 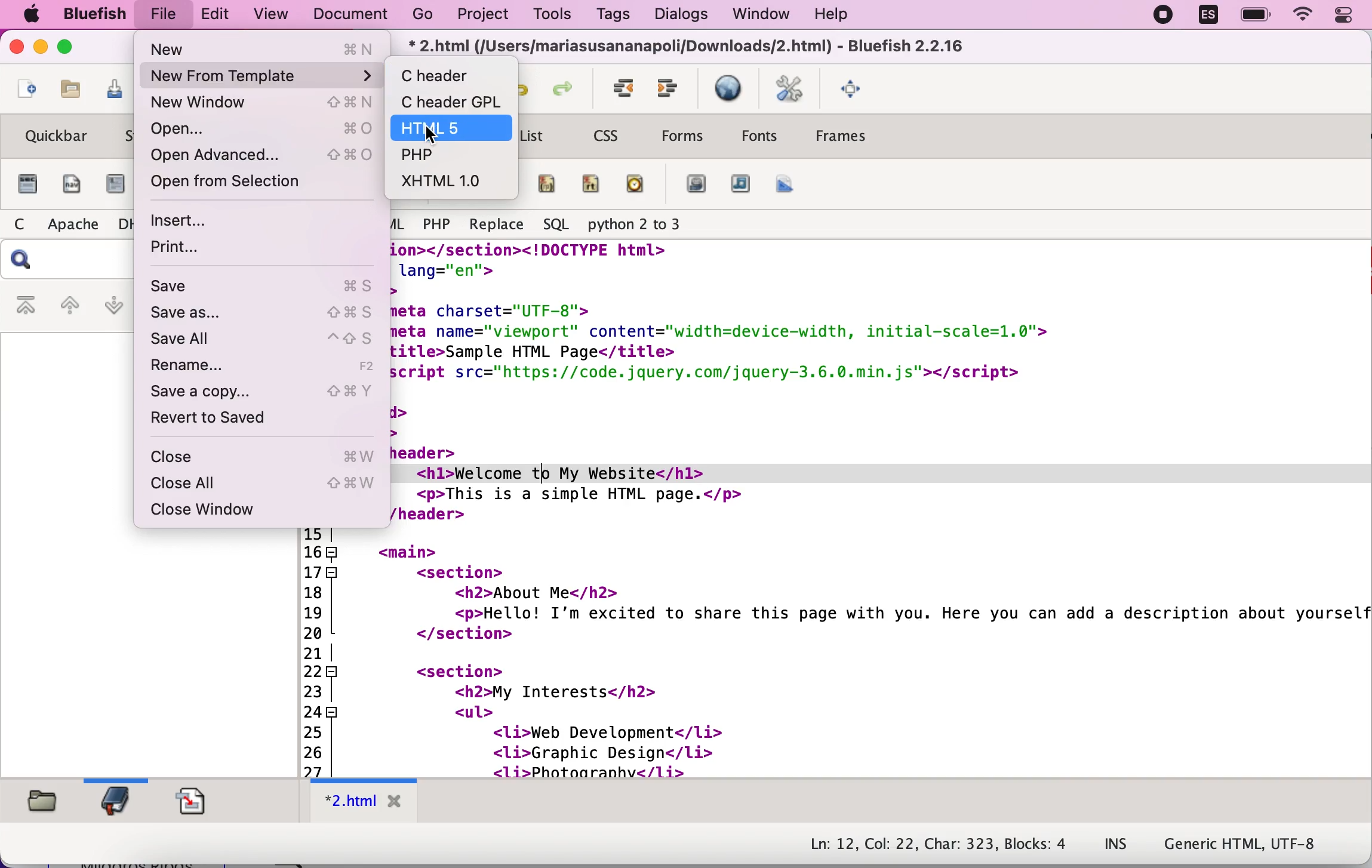 I want to click on Replace, so click(x=497, y=225).